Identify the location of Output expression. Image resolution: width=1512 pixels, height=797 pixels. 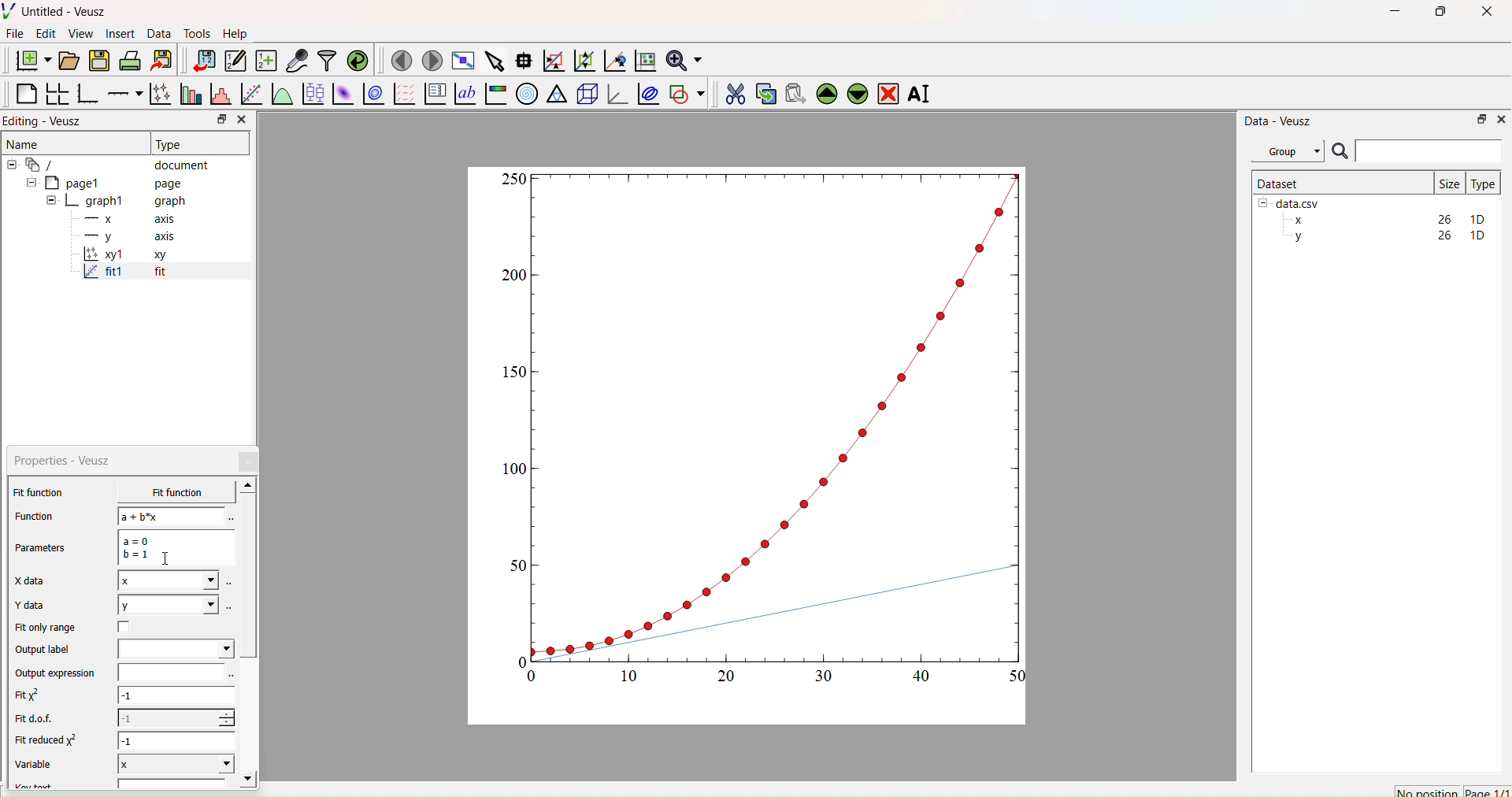
(60, 675).